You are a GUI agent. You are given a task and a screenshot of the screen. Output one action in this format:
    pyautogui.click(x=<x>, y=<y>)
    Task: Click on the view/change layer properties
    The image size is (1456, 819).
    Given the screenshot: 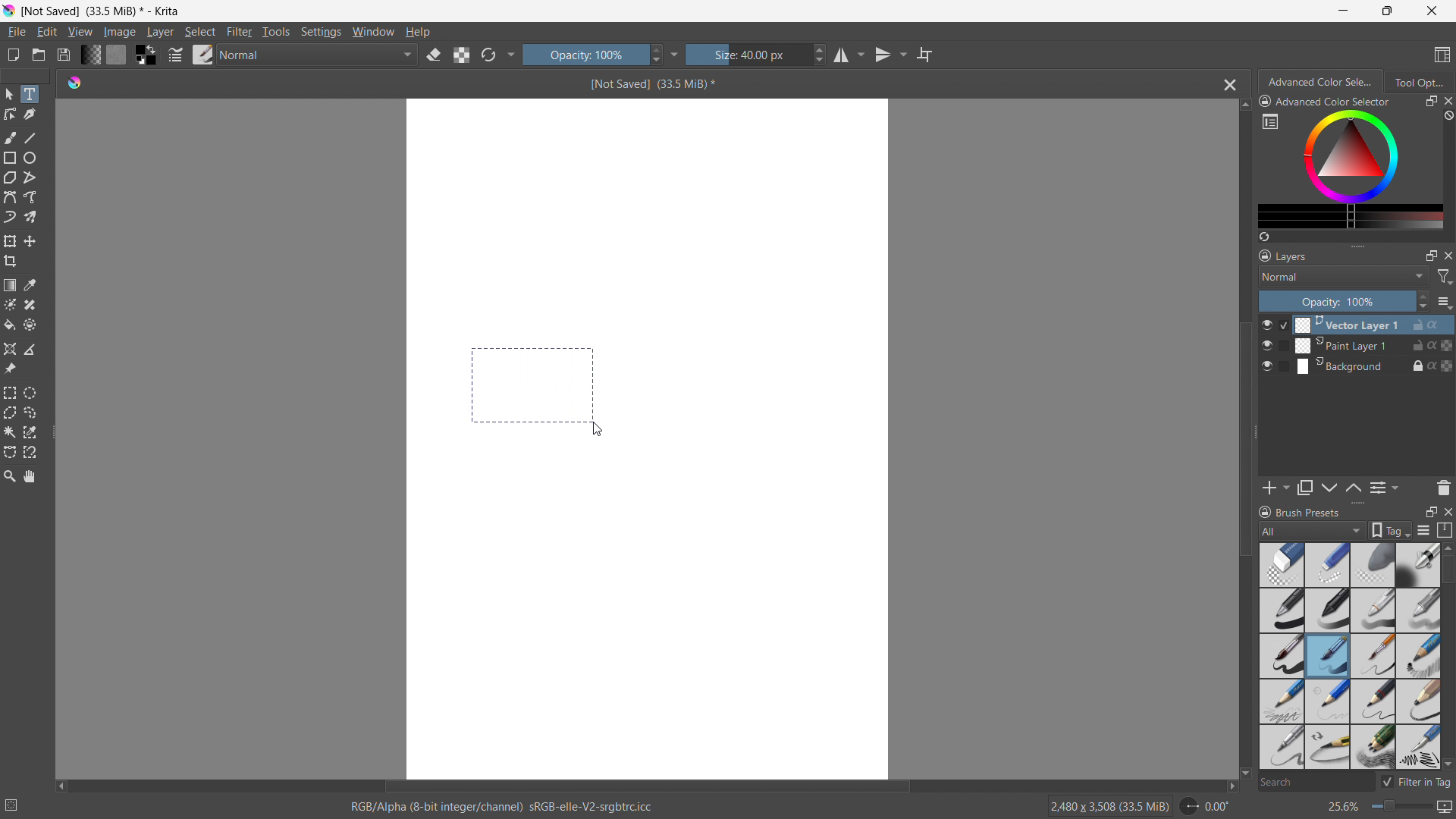 What is the action you would take?
    pyautogui.click(x=1383, y=487)
    